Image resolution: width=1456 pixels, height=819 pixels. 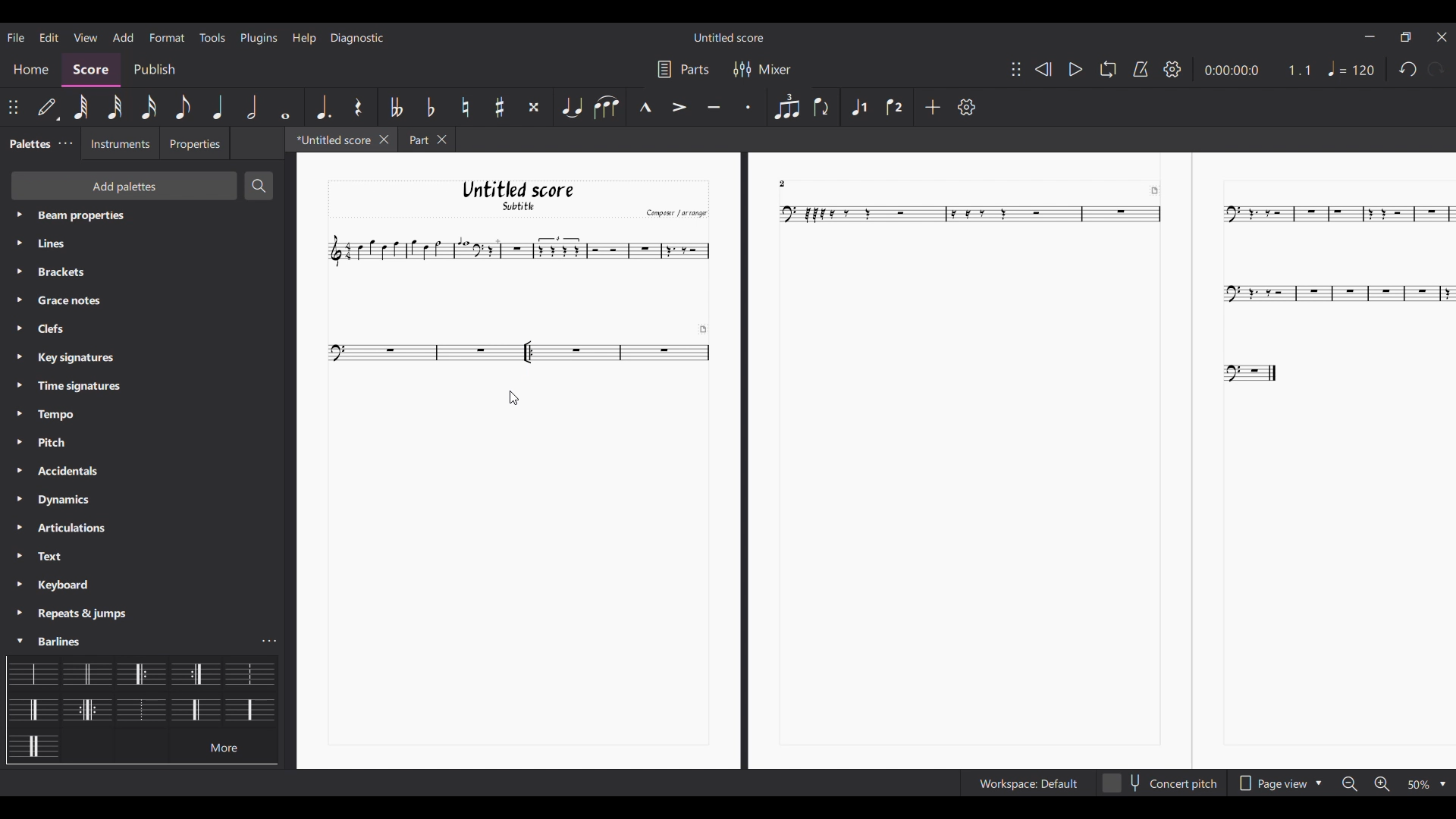 What do you see at coordinates (60, 585) in the screenshot?
I see `Palette settings` at bounding box center [60, 585].